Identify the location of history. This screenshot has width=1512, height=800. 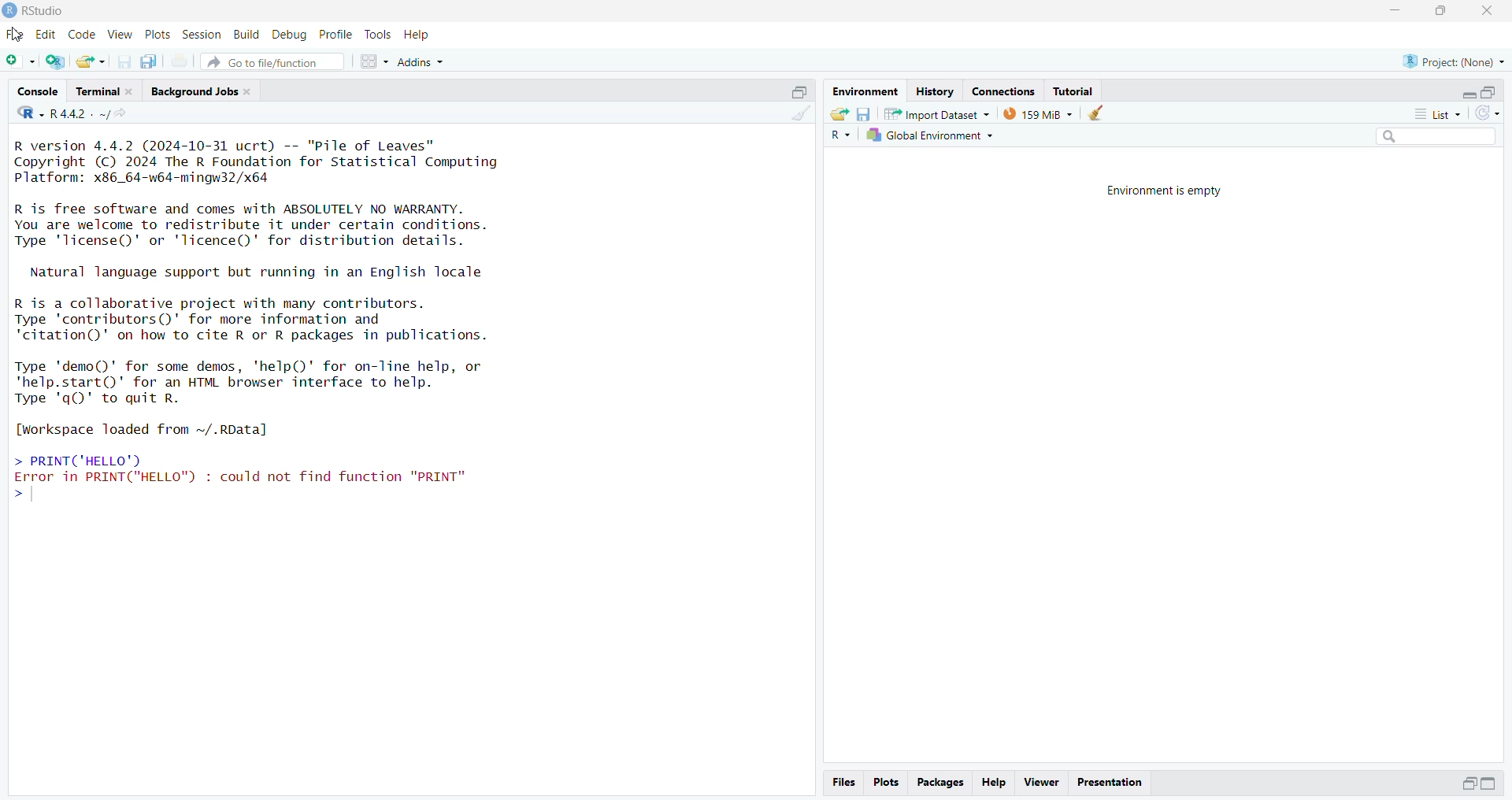
(934, 92).